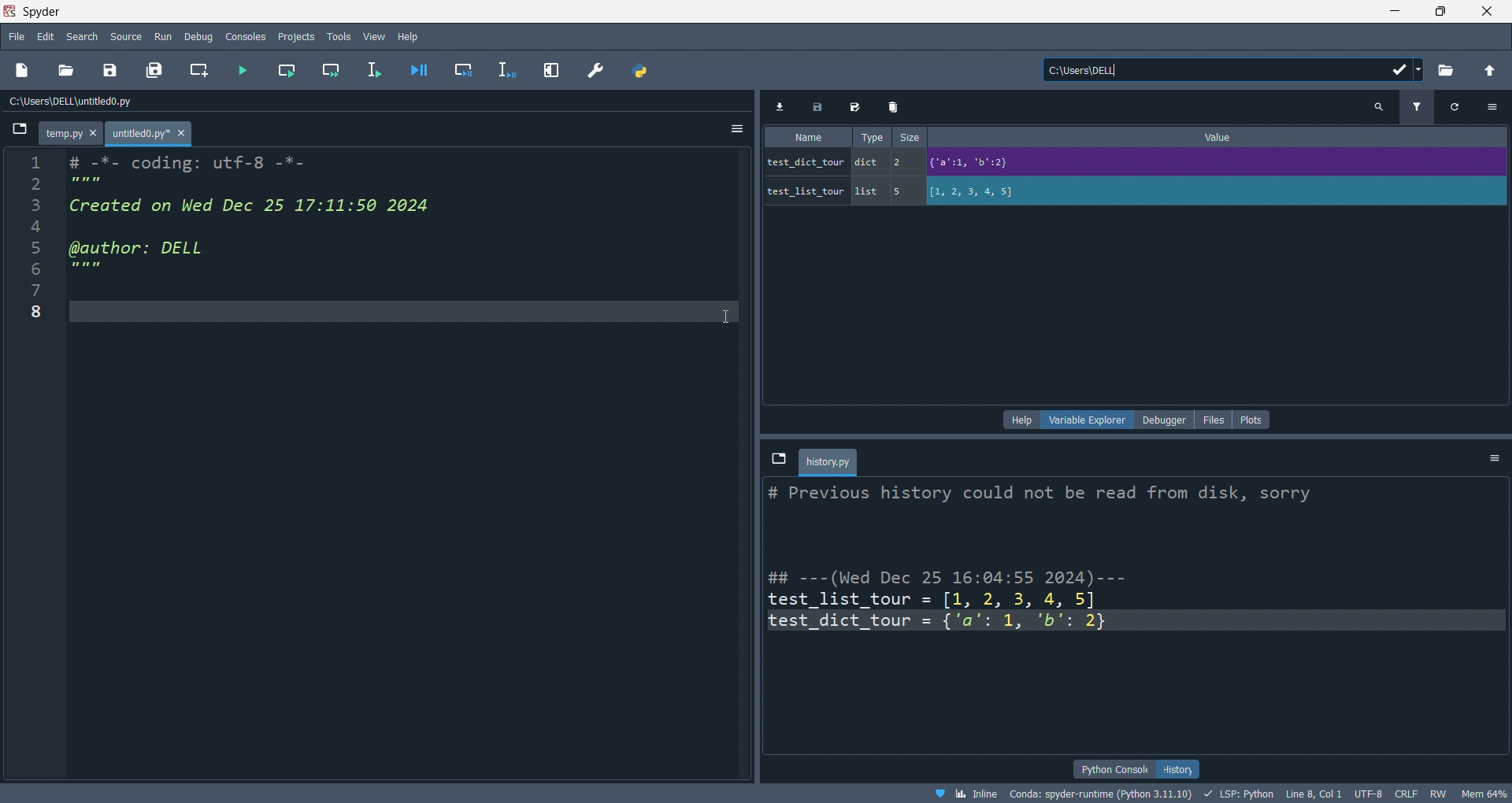  Describe the element at coordinates (1252, 420) in the screenshot. I see `plots` at that location.